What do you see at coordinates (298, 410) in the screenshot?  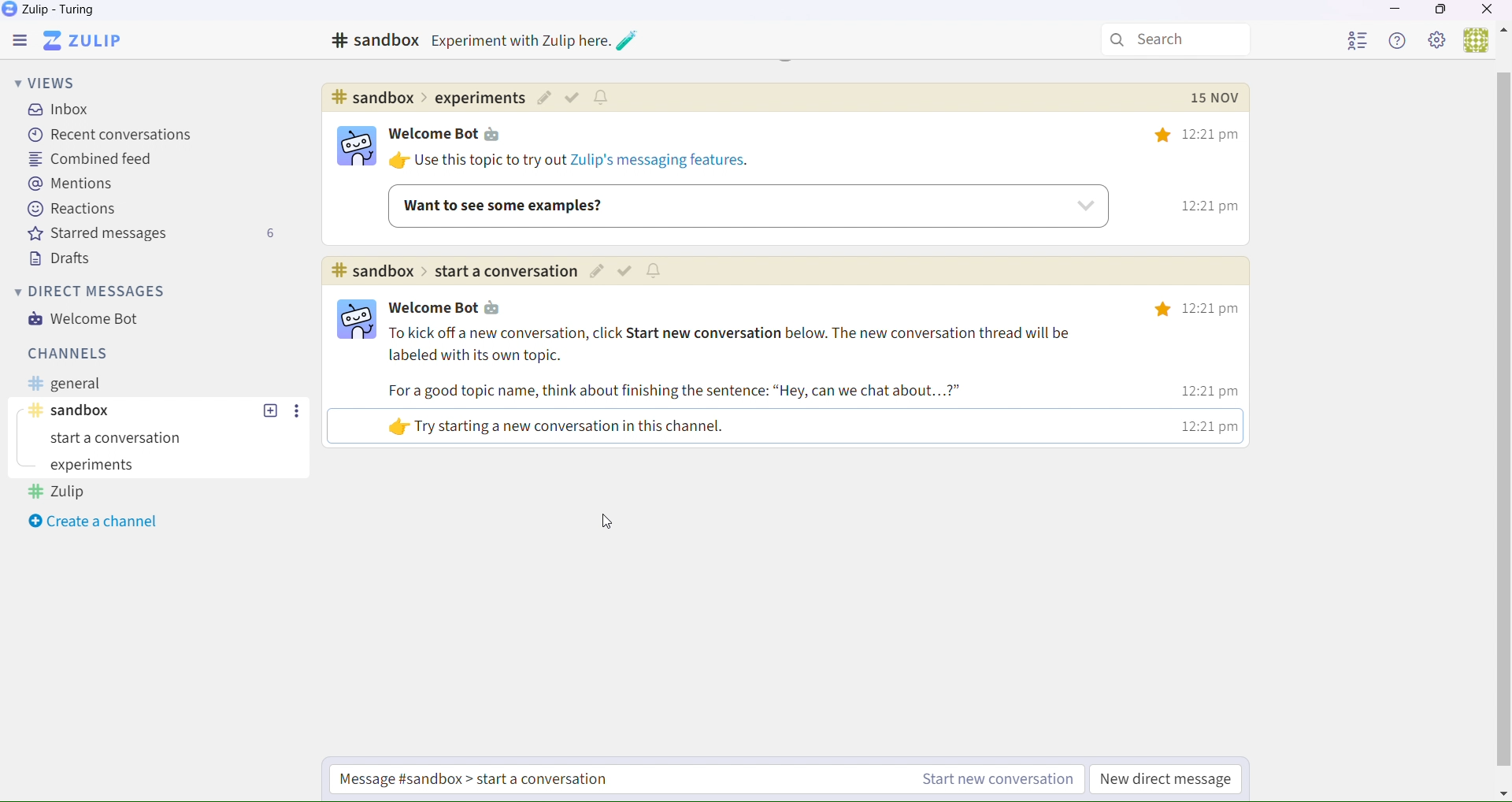 I see `` at bounding box center [298, 410].